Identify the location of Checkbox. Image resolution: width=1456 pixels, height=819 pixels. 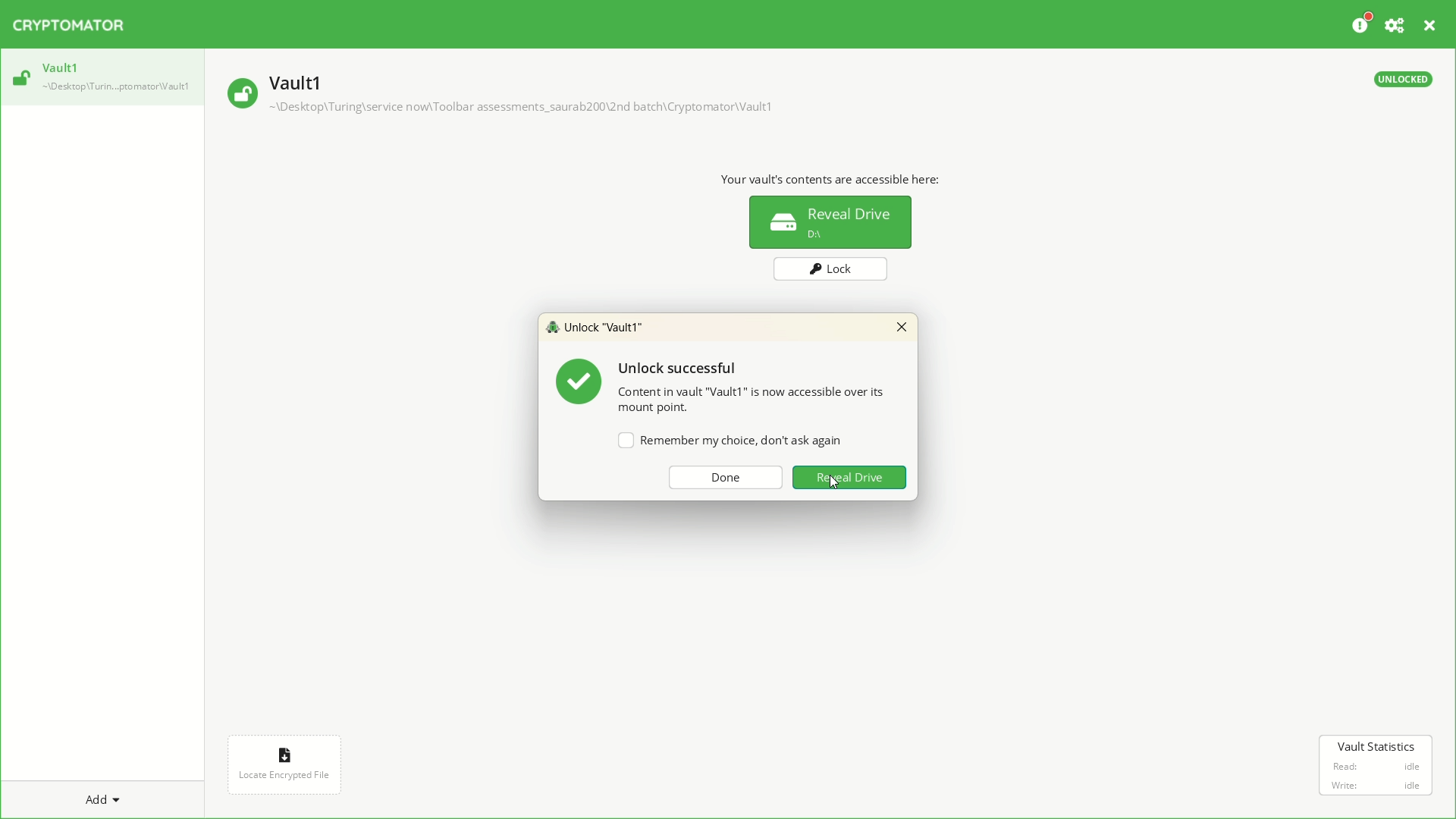
(726, 441).